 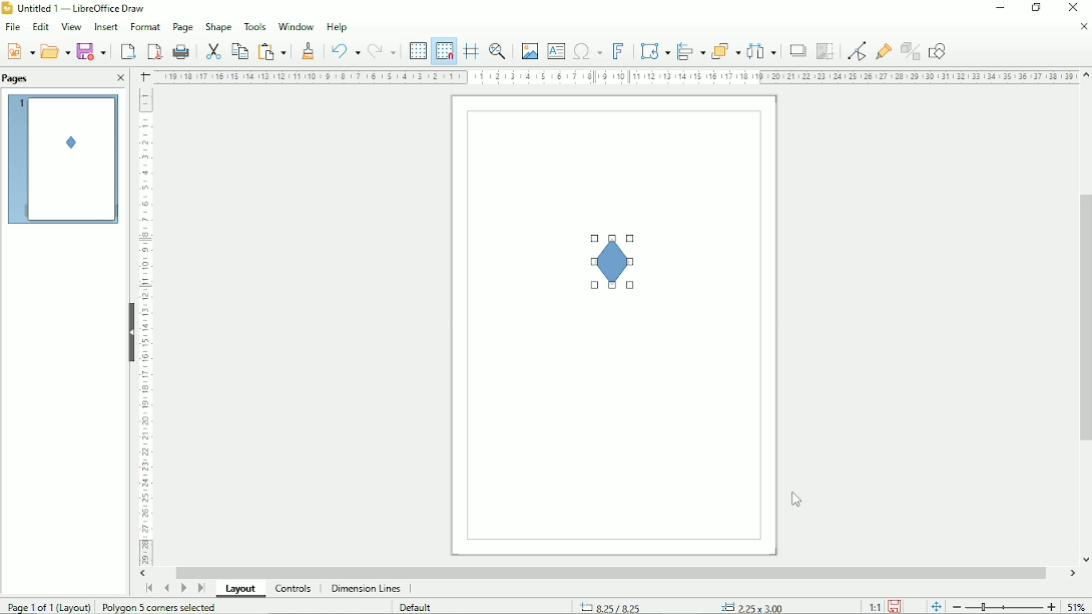 I want to click on Default, so click(x=419, y=606).